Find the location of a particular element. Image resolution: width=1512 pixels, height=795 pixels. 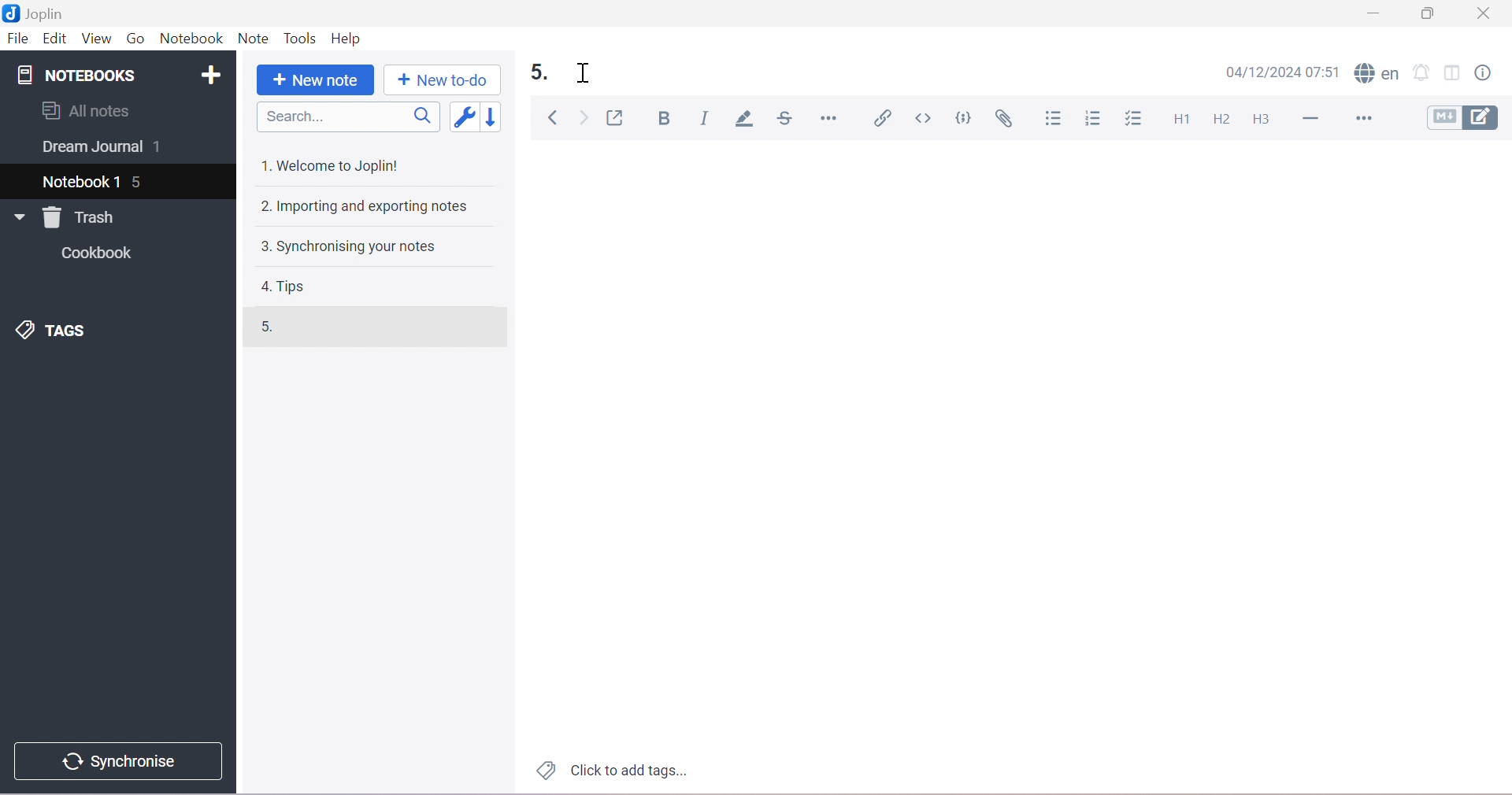

3. Synchronising your notes is located at coordinates (347, 248).